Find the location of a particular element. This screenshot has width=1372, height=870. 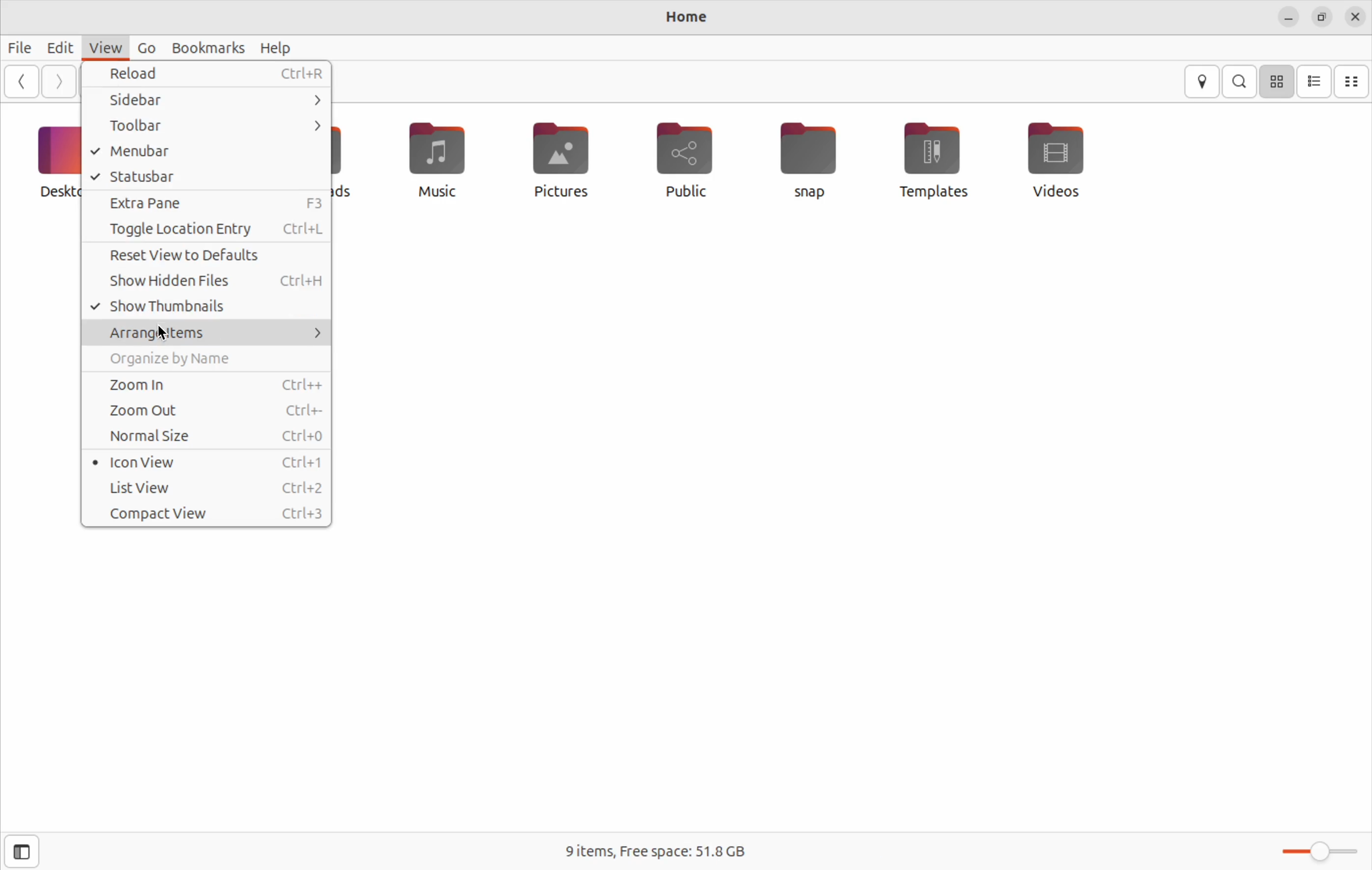

reload is located at coordinates (210, 75).